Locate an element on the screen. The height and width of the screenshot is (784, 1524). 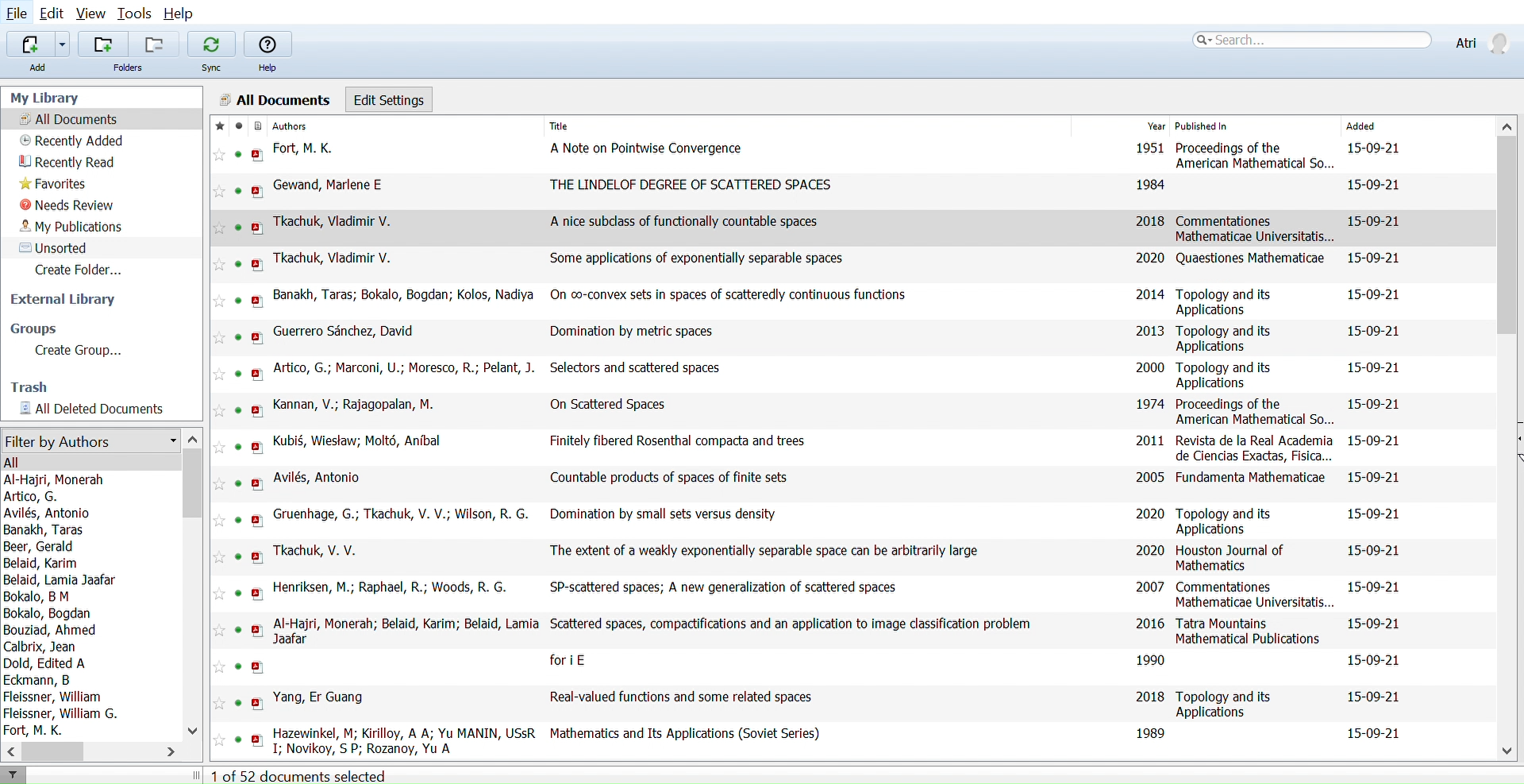
Commentationes Mathematicae Universitatis... is located at coordinates (1257, 229).